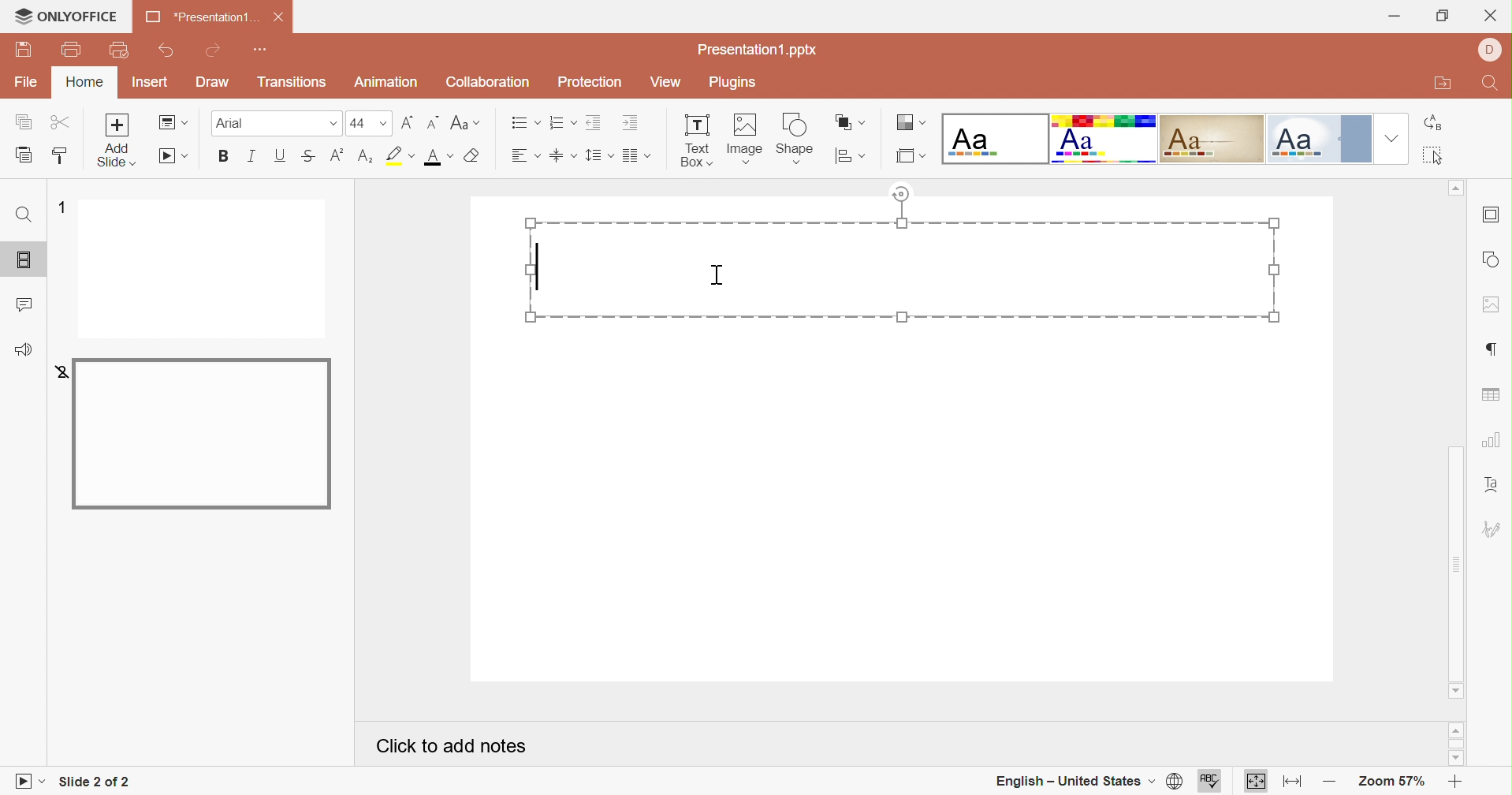 The width and height of the screenshot is (1512, 795). Describe the element at coordinates (200, 17) in the screenshot. I see `*Presentation1...` at that location.